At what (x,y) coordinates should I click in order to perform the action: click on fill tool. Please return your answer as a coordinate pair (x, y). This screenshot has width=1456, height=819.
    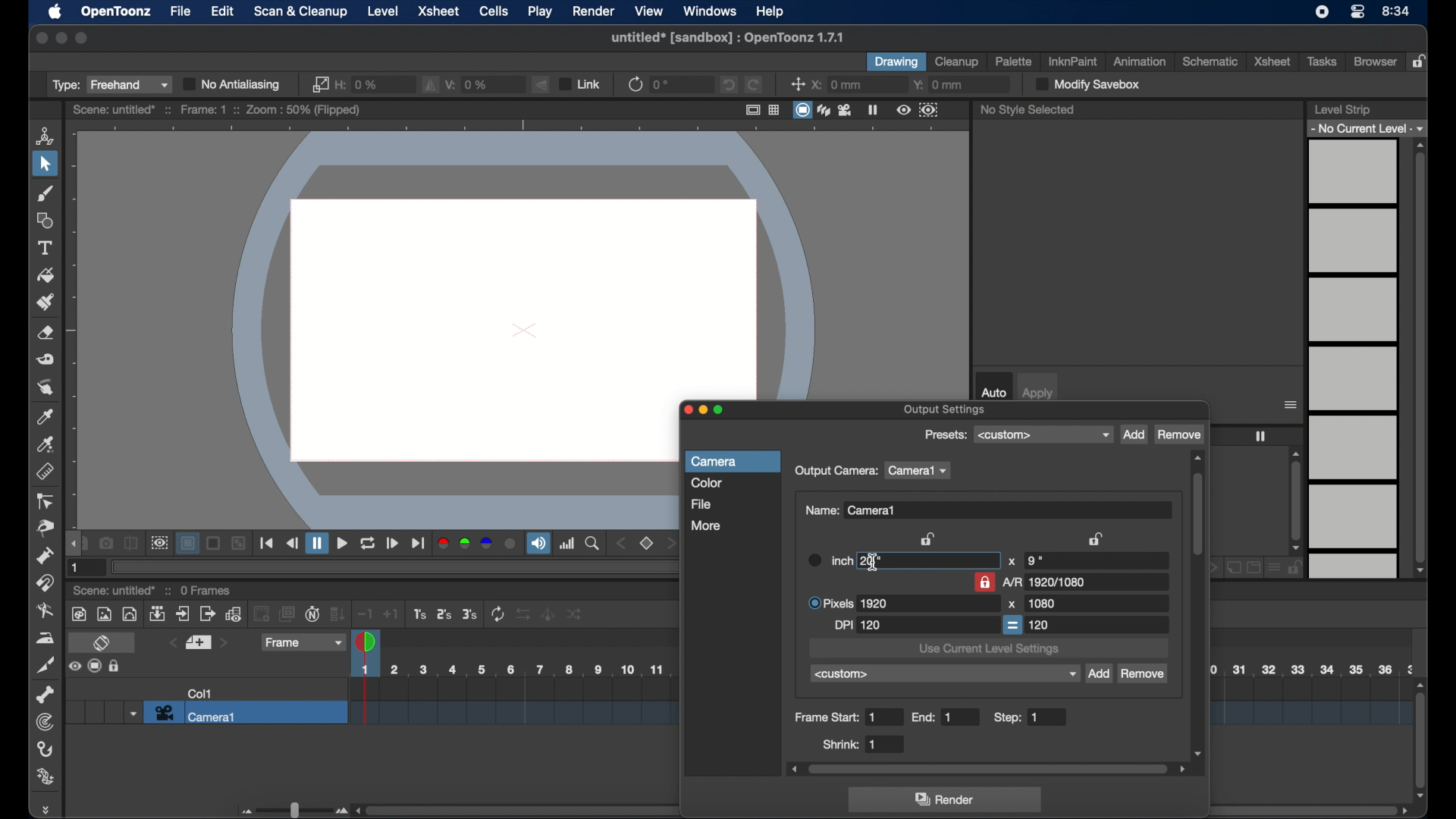
    Looking at the image, I should click on (46, 276).